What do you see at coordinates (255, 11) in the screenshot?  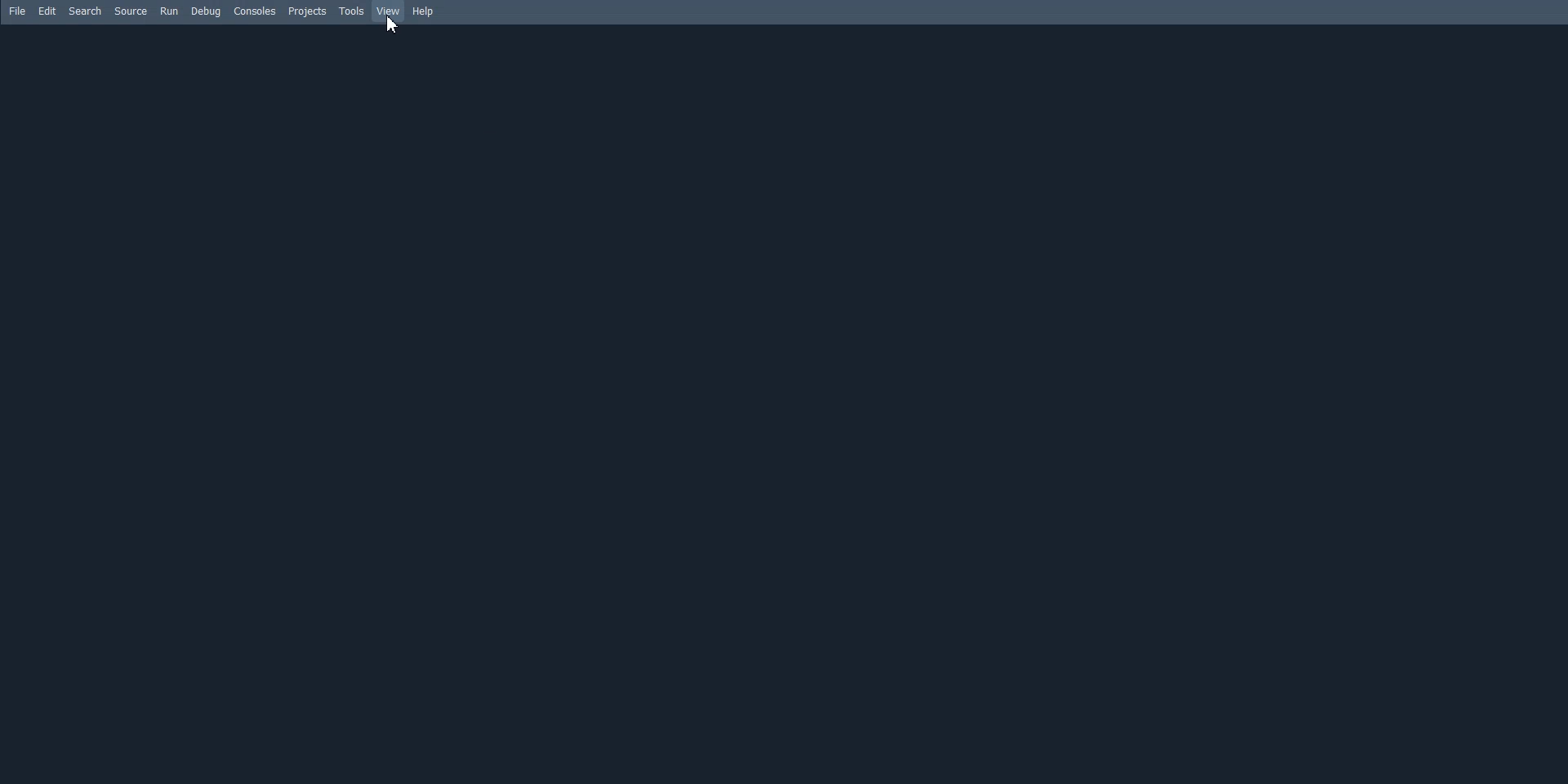 I see `Consoles` at bounding box center [255, 11].